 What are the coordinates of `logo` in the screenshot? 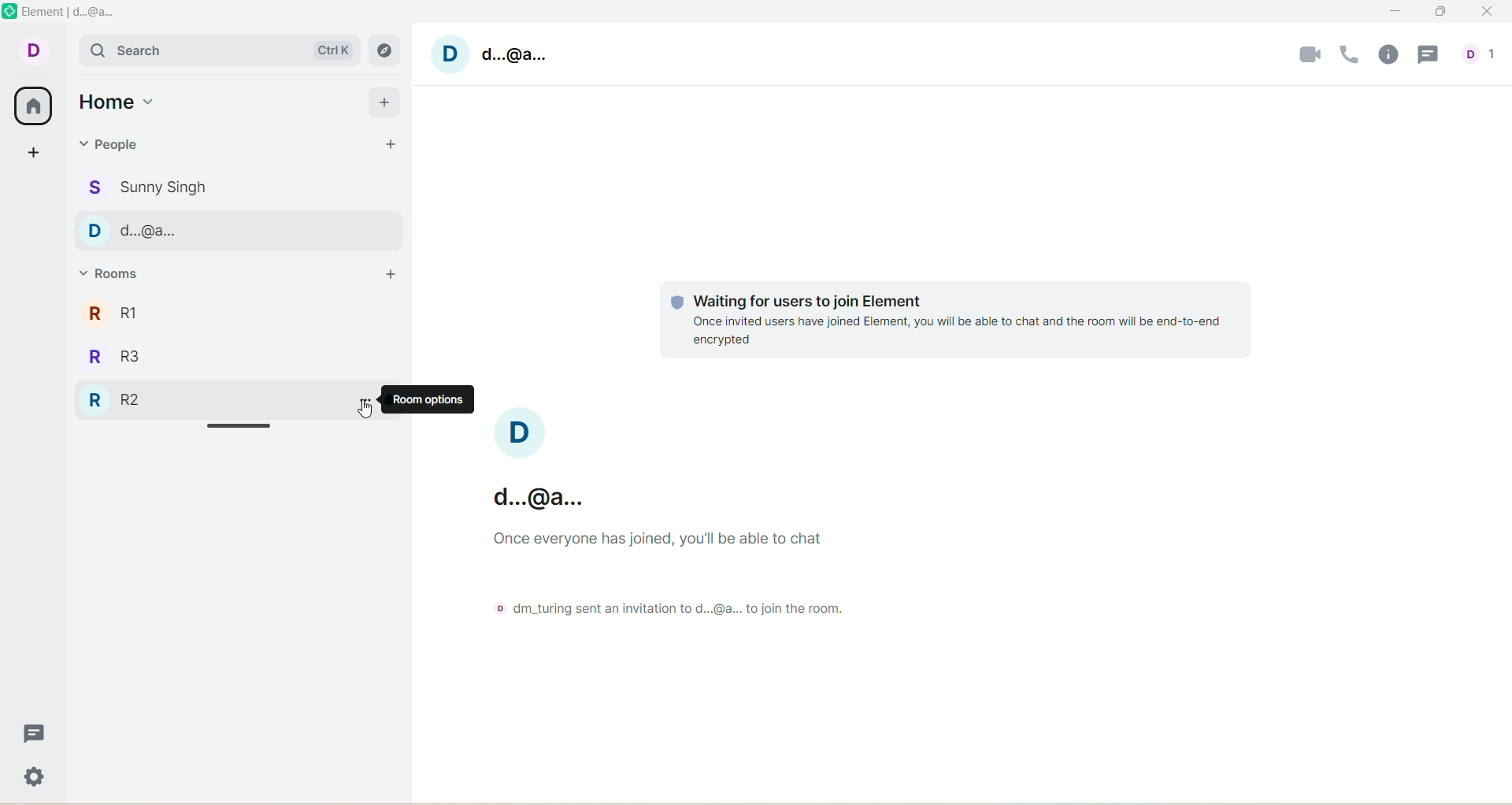 It's located at (10, 14).